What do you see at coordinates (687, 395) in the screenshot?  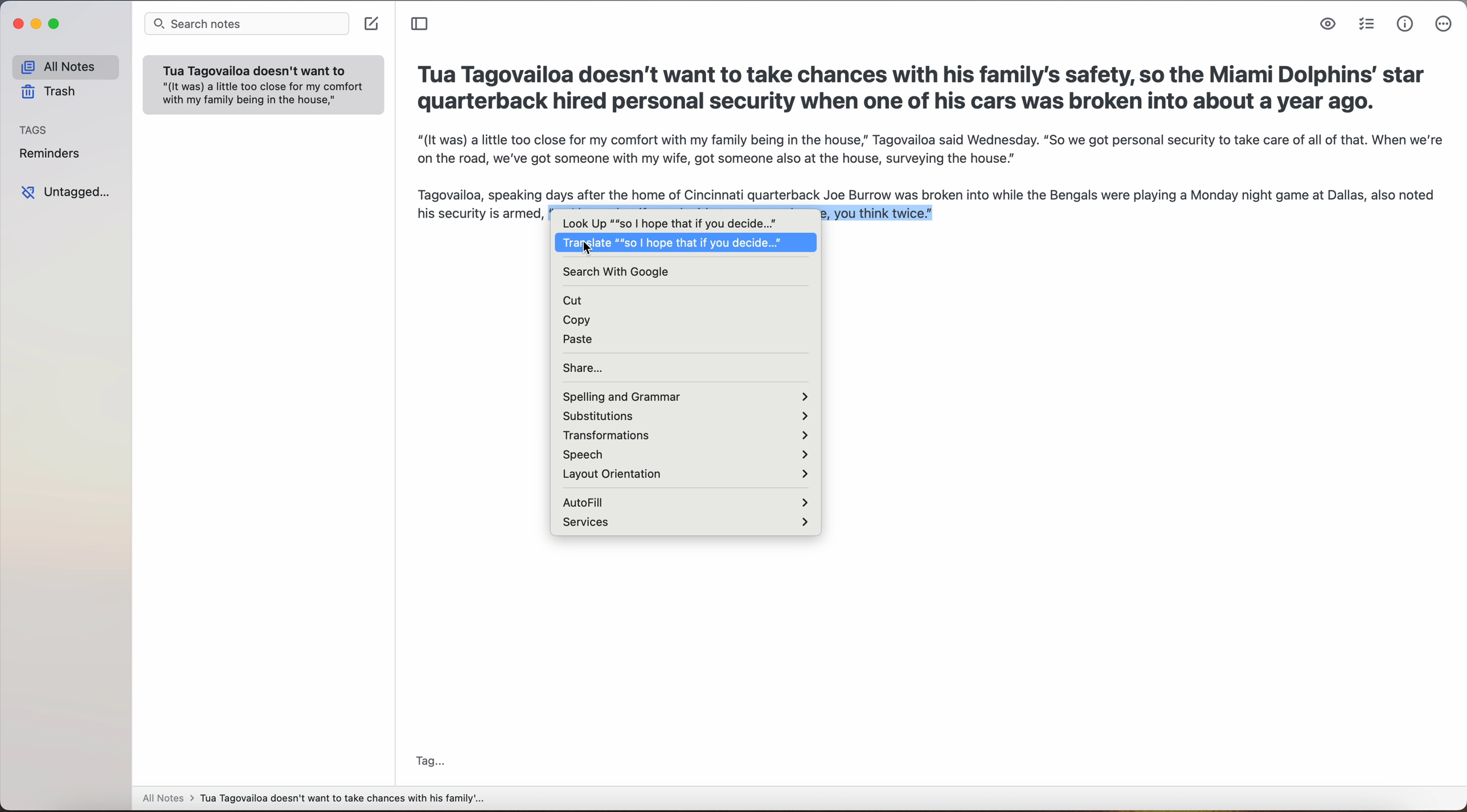 I see `spelling and grammar` at bounding box center [687, 395].